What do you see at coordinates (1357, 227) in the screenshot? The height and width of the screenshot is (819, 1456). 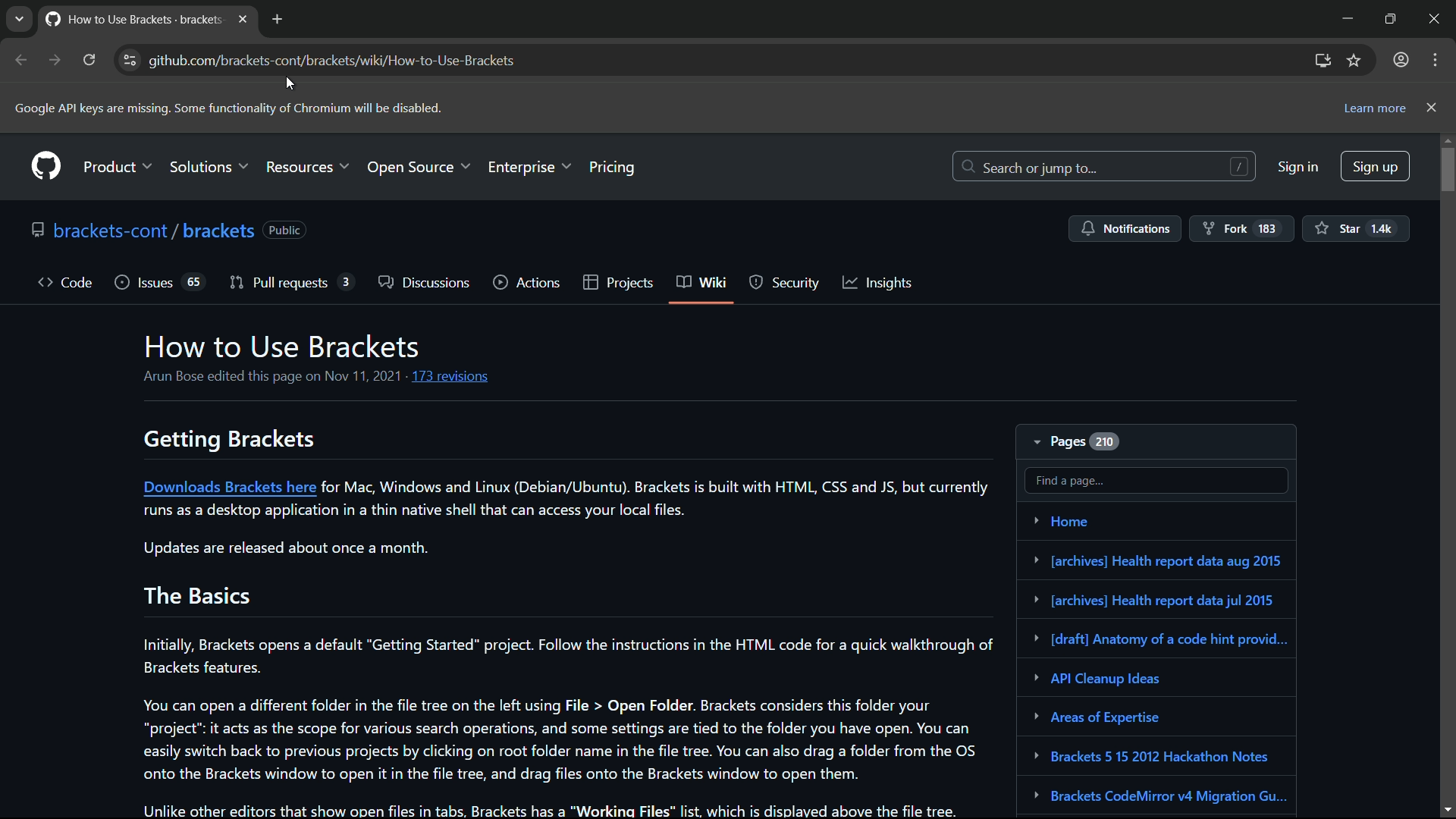 I see `Star 14k` at bounding box center [1357, 227].